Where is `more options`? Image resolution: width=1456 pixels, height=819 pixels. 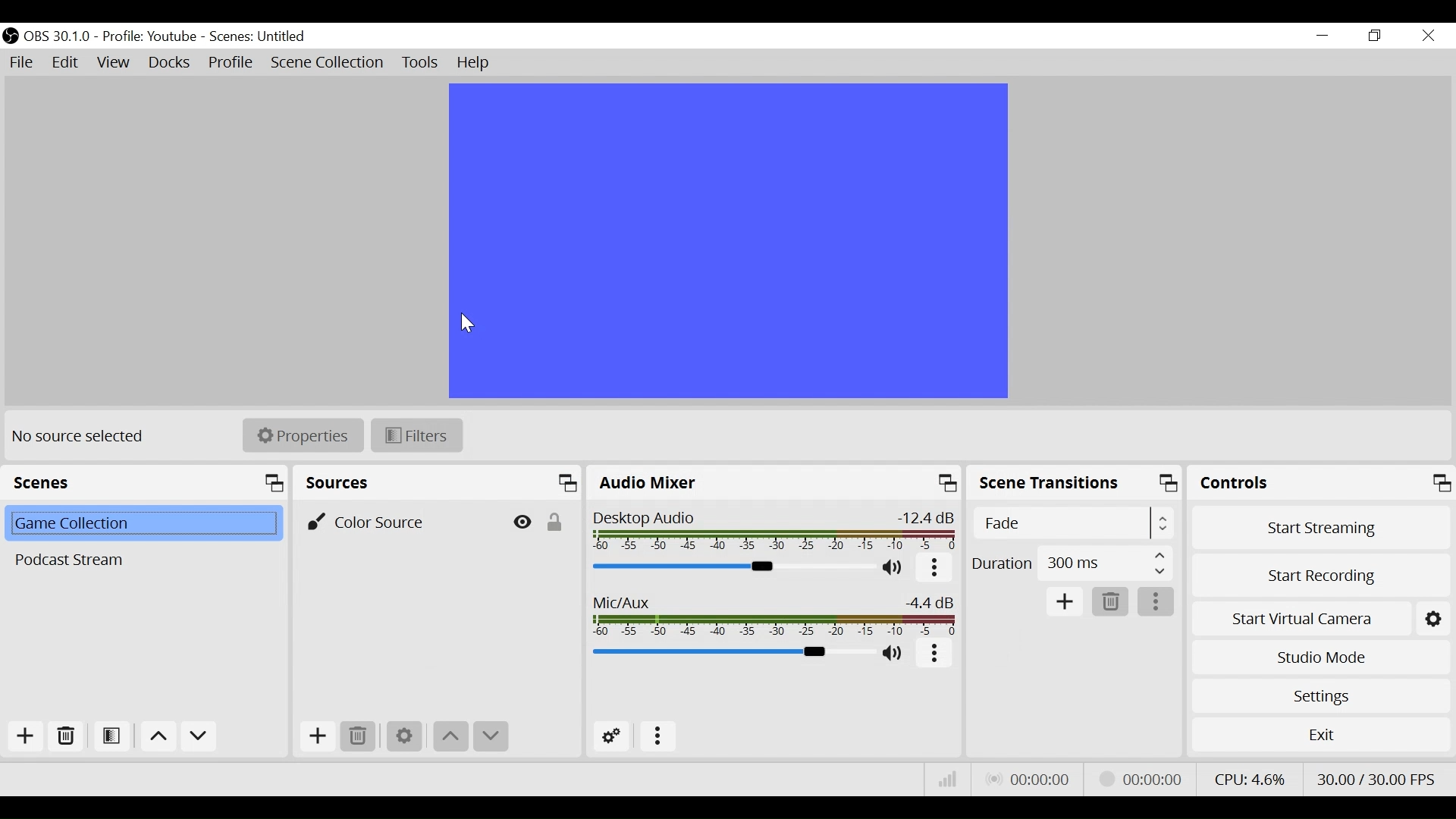
more options is located at coordinates (659, 738).